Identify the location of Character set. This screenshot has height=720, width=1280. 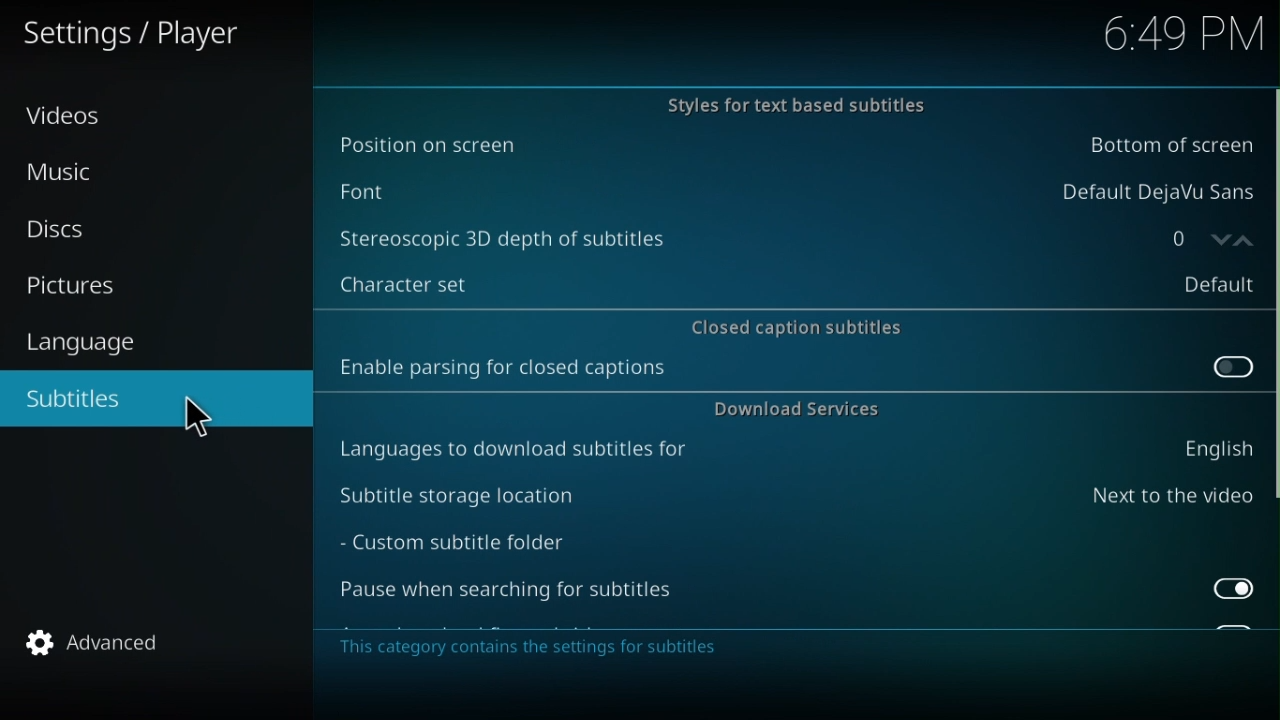
(789, 279).